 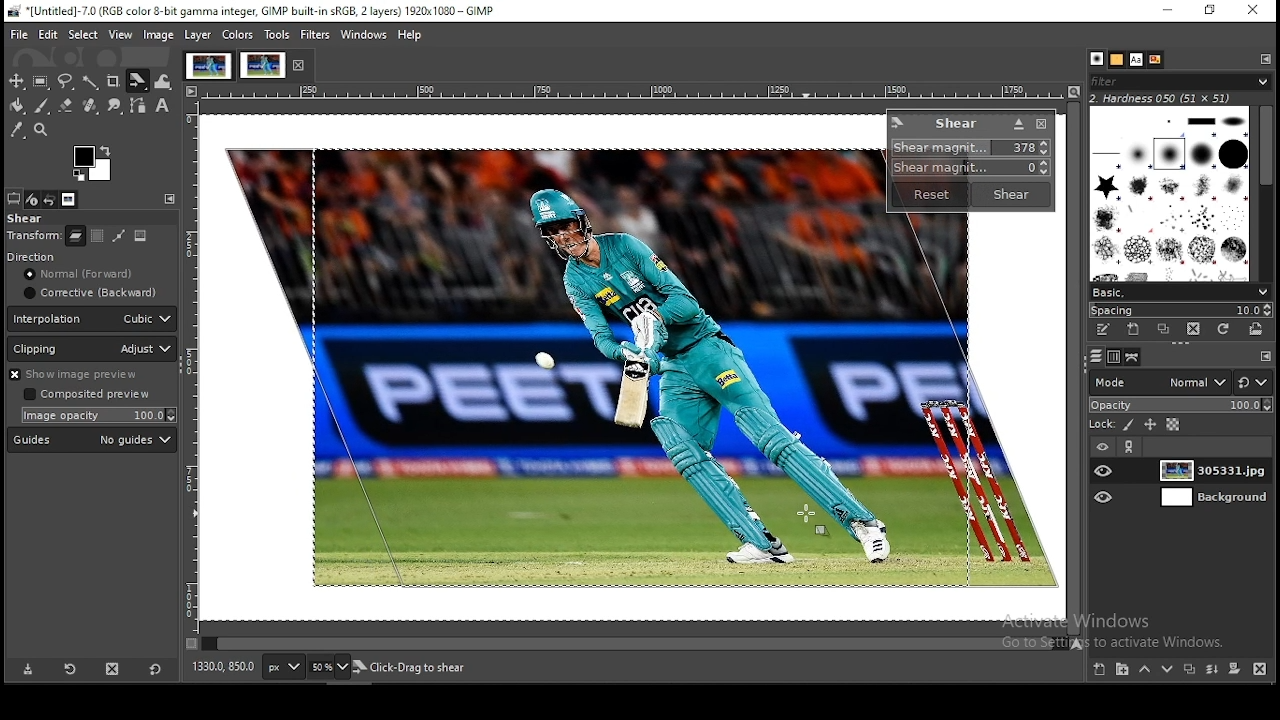 I want to click on configure this tab, so click(x=1267, y=59).